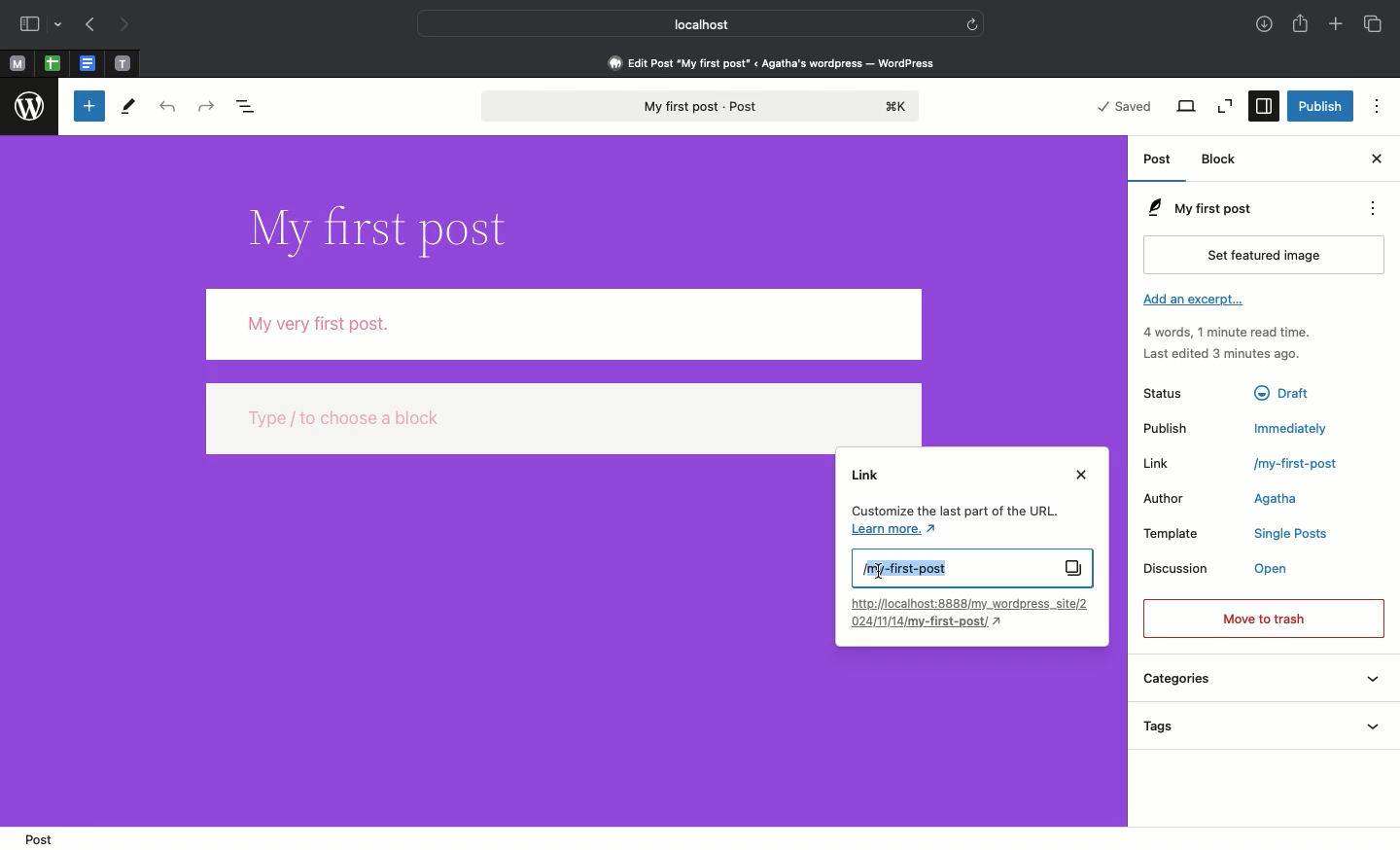 The height and width of the screenshot is (850, 1400). I want to click on Settings selected, so click(1262, 106).